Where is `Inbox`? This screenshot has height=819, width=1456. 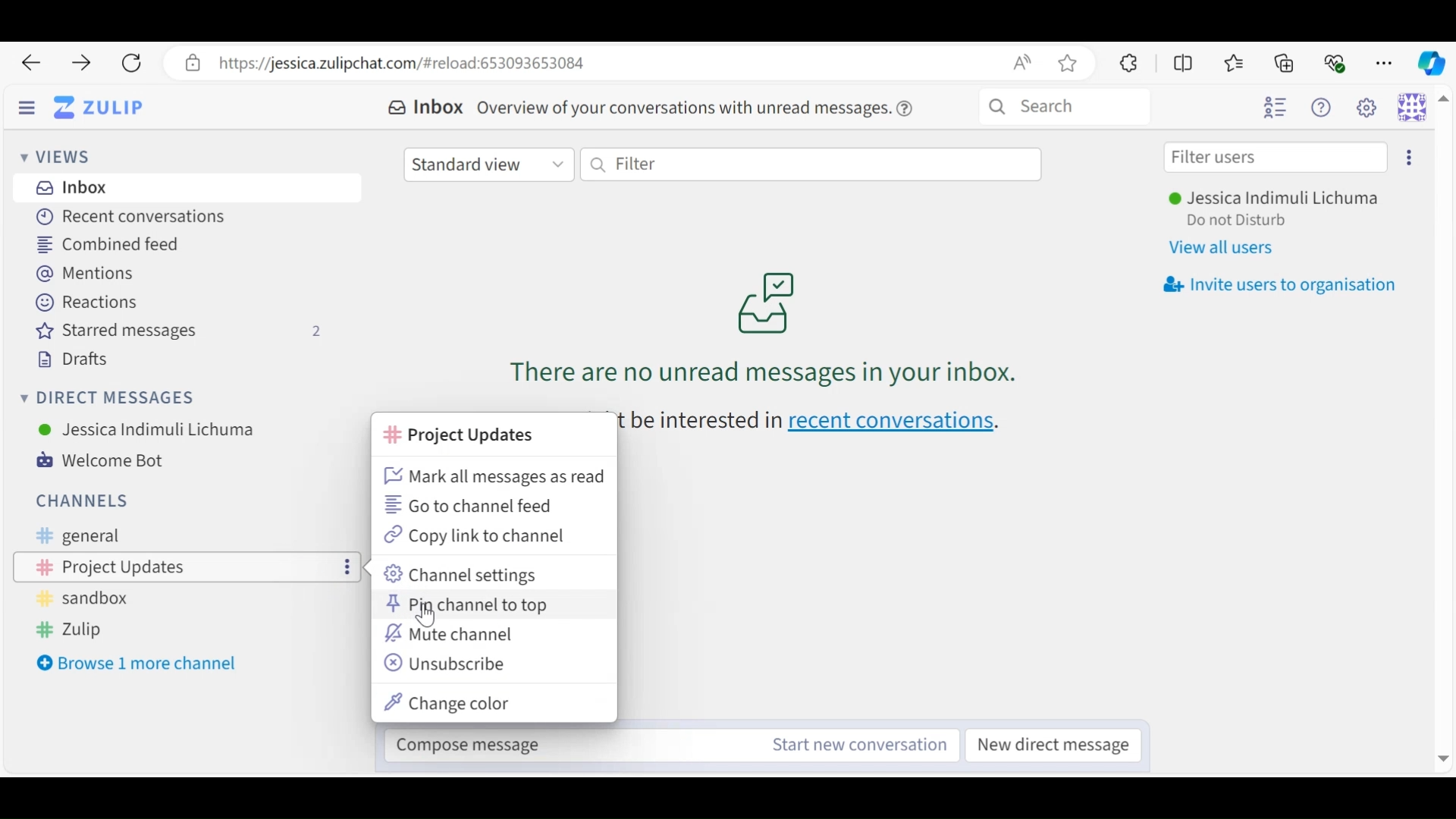
Inbox is located at coordinates (425, 108).